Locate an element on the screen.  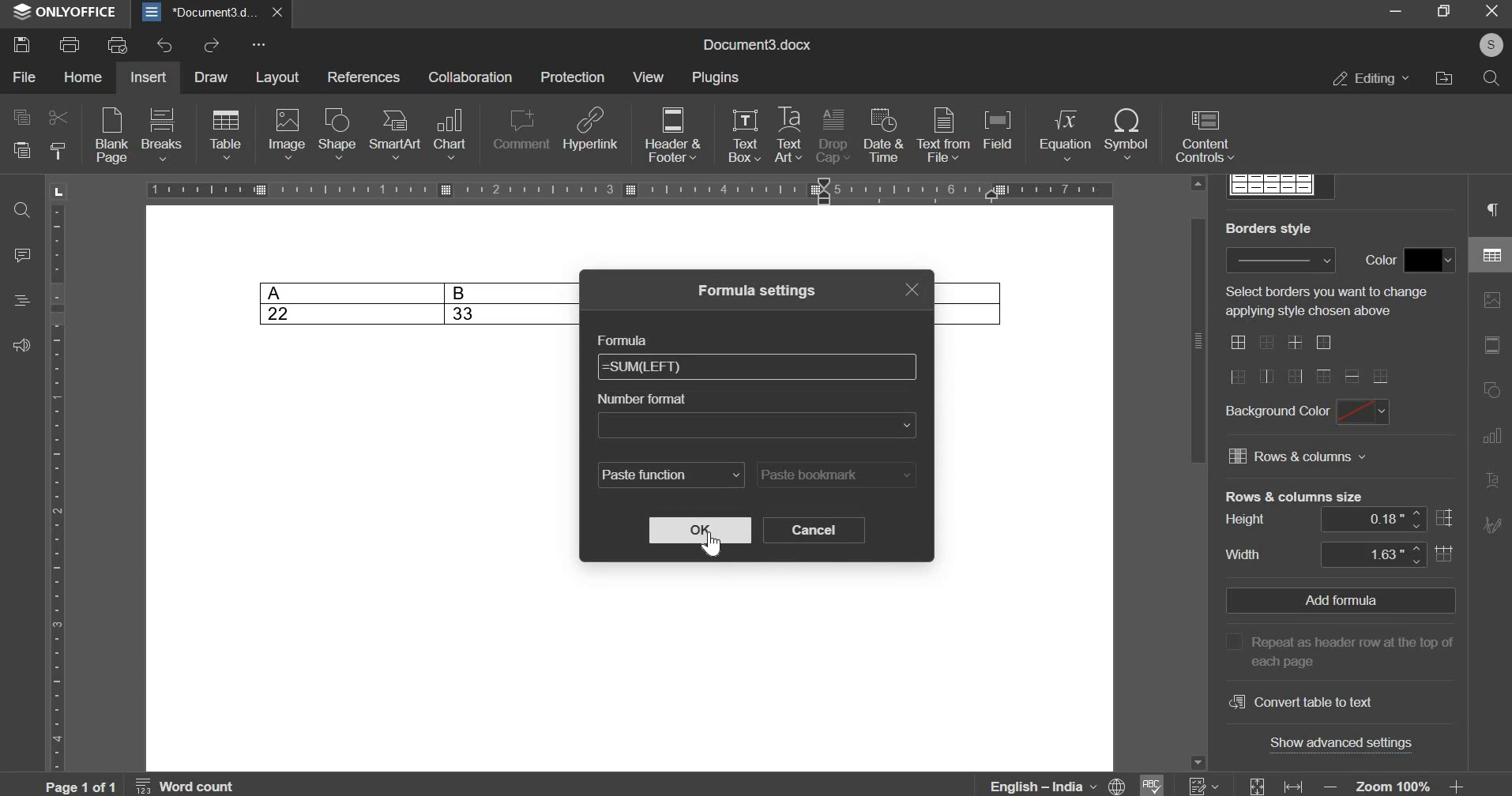
references is located at coordinates (365, 78).